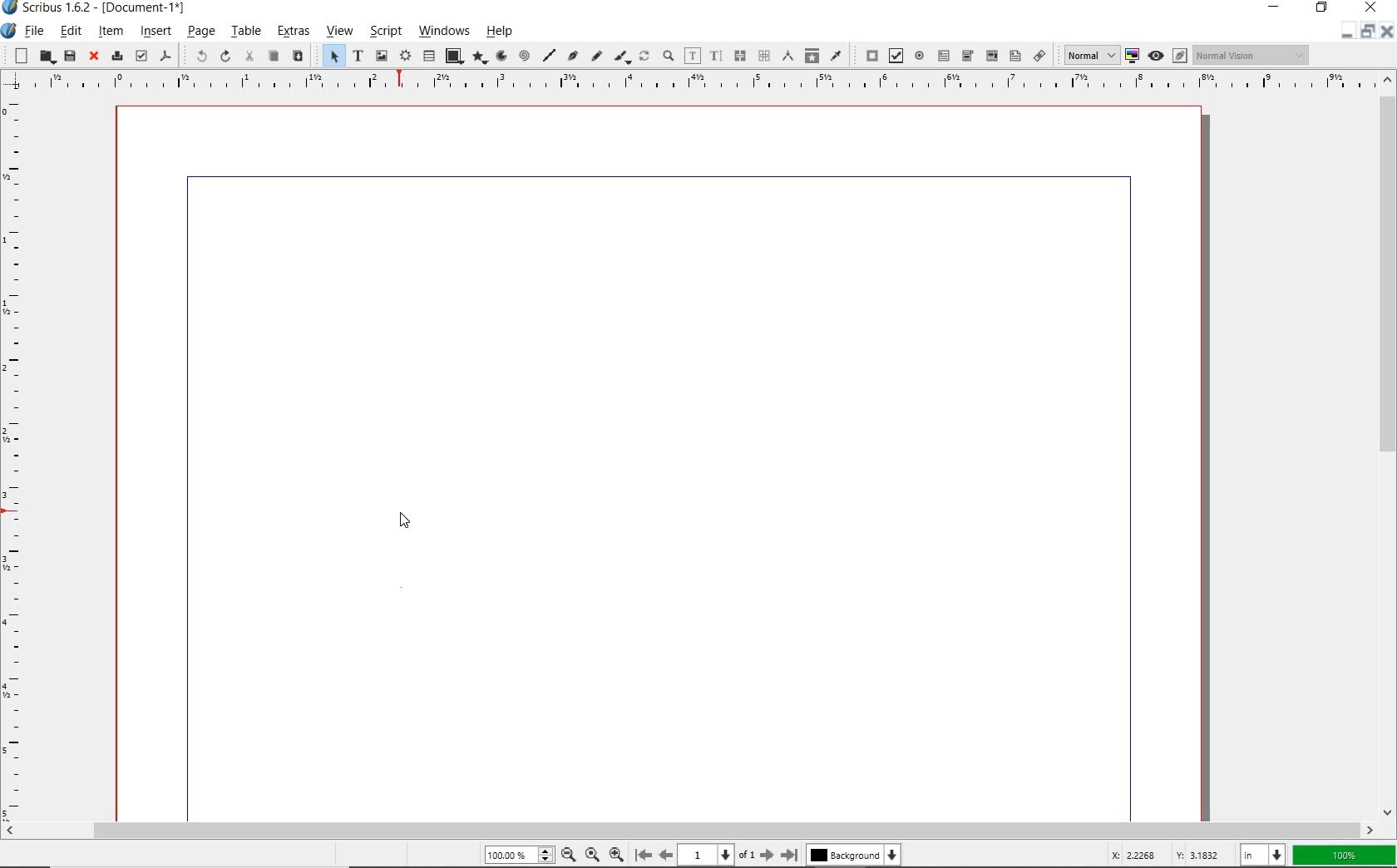  What do you see at coordinates (445, 32) in the screenshot?
I see `windows` at bounding box center [445, 32].